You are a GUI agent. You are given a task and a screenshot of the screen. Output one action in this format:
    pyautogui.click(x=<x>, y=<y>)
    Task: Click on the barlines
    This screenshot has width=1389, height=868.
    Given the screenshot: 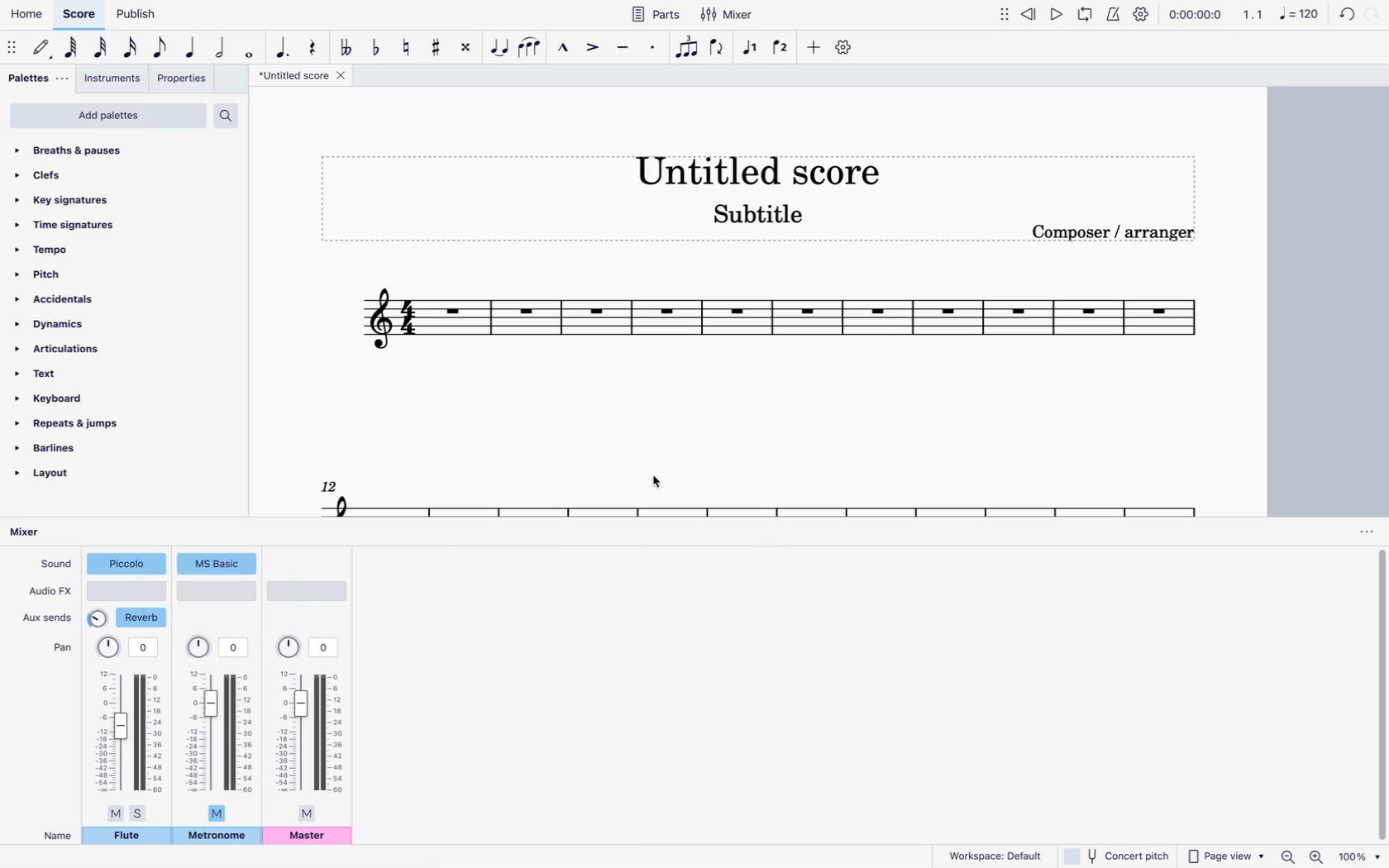 What is the action you would take?
    pyautogui.click(x=69, y=451)
    